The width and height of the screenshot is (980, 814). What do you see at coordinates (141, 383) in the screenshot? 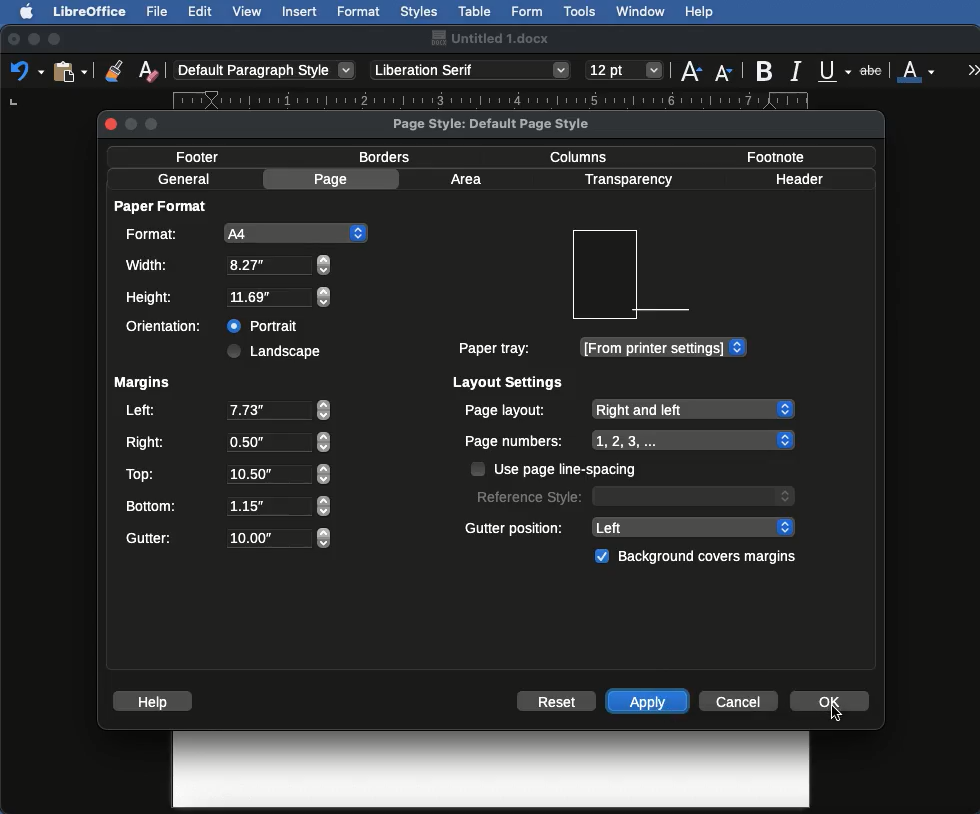
I see `Margins` at bounding box center [141, 383].